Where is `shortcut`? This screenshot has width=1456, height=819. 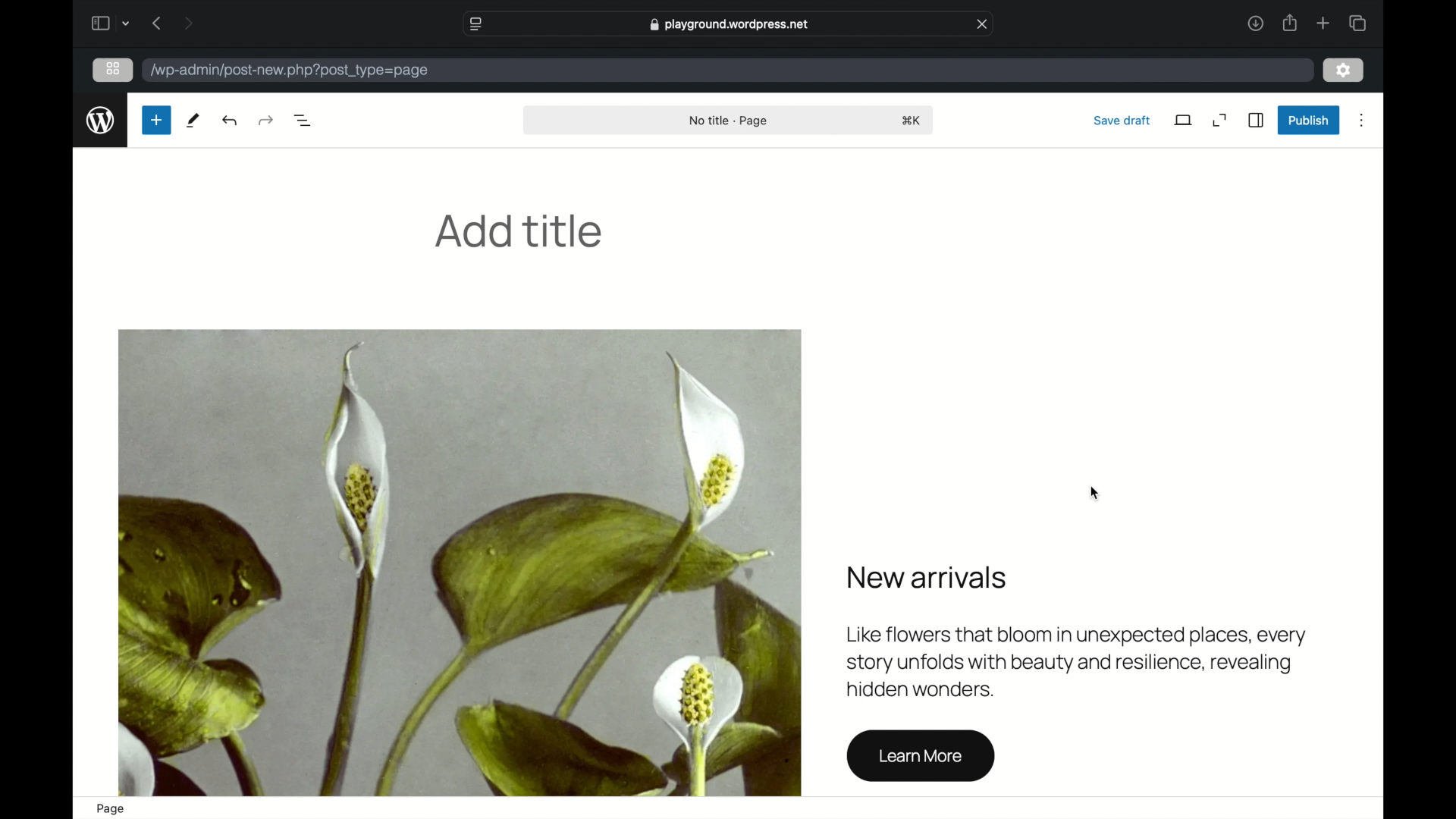
shortcut is located at coordinates (914, 121).